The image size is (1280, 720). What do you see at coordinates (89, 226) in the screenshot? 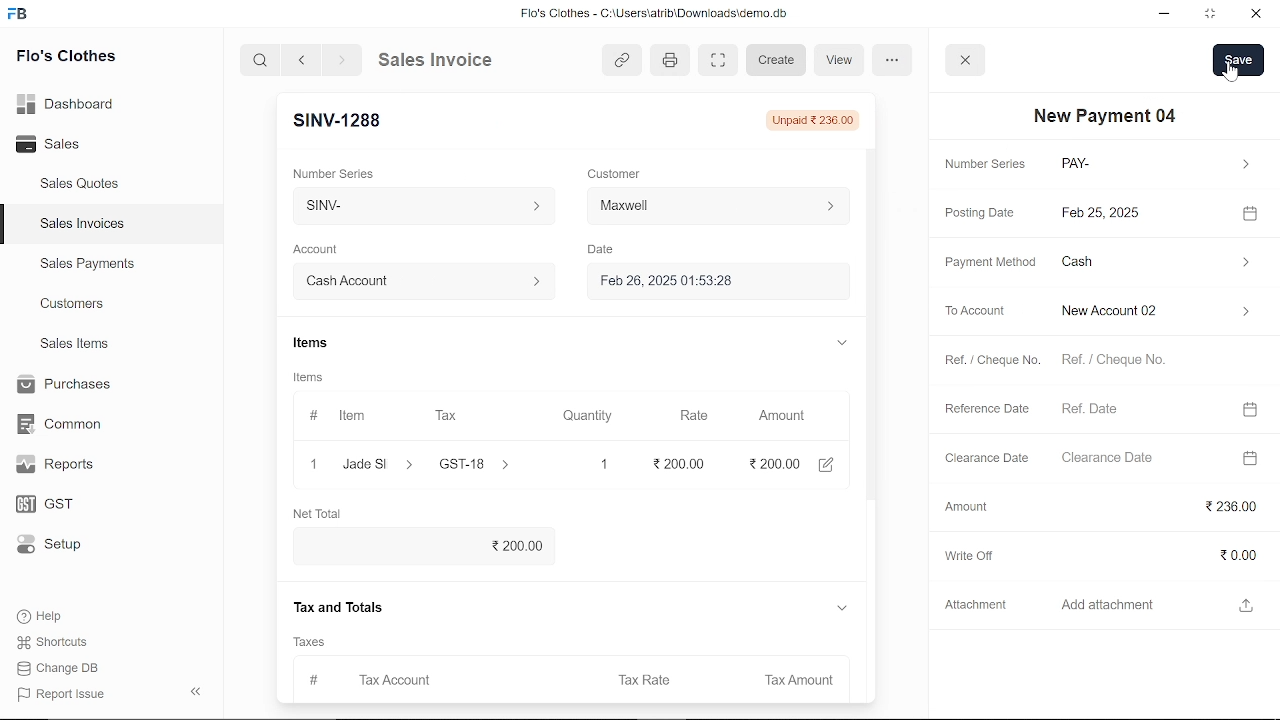
I see `Sales Invoices` at bounding box center [89, 226].